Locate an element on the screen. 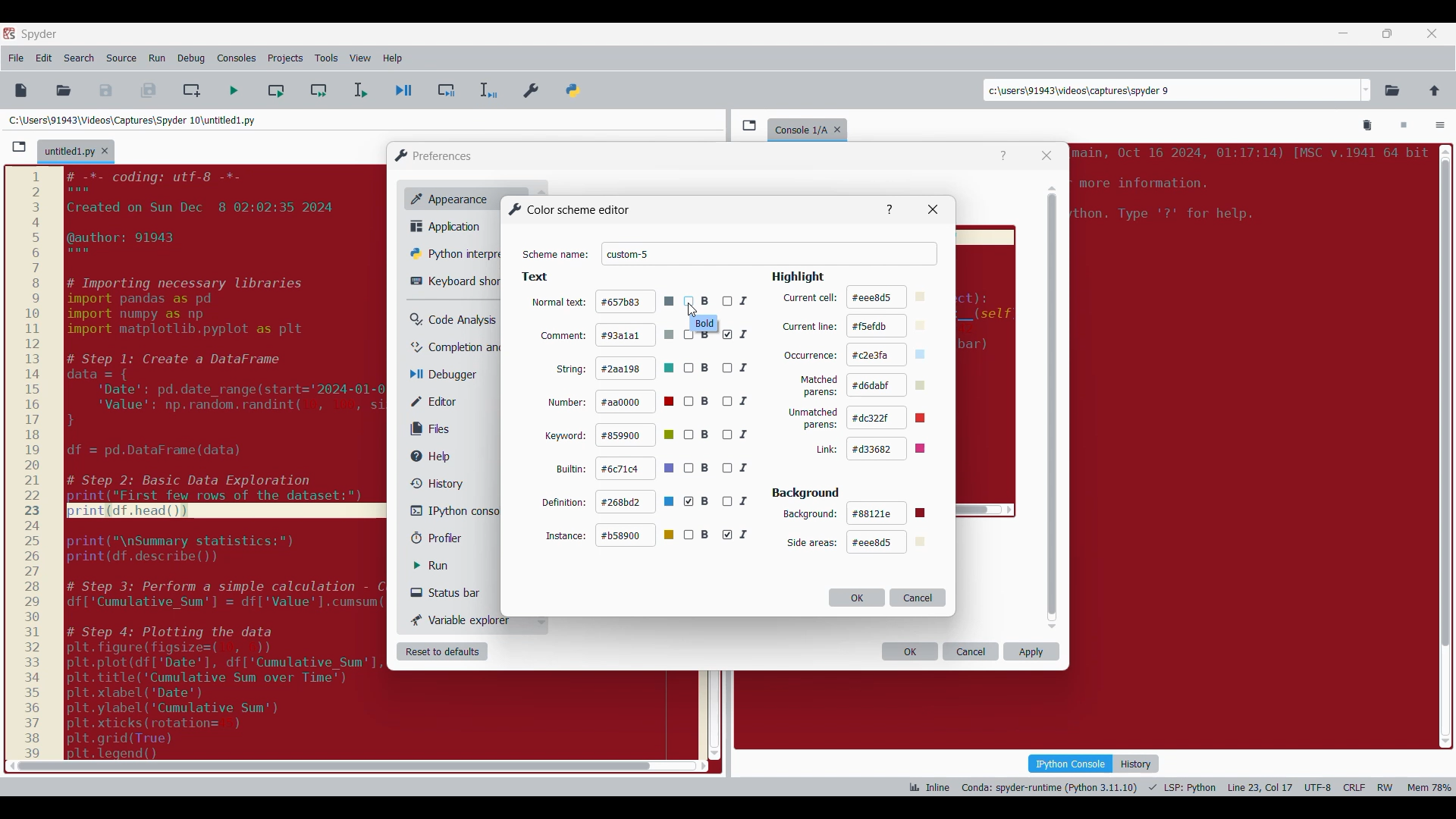  link is located at coordinates (825, 450).